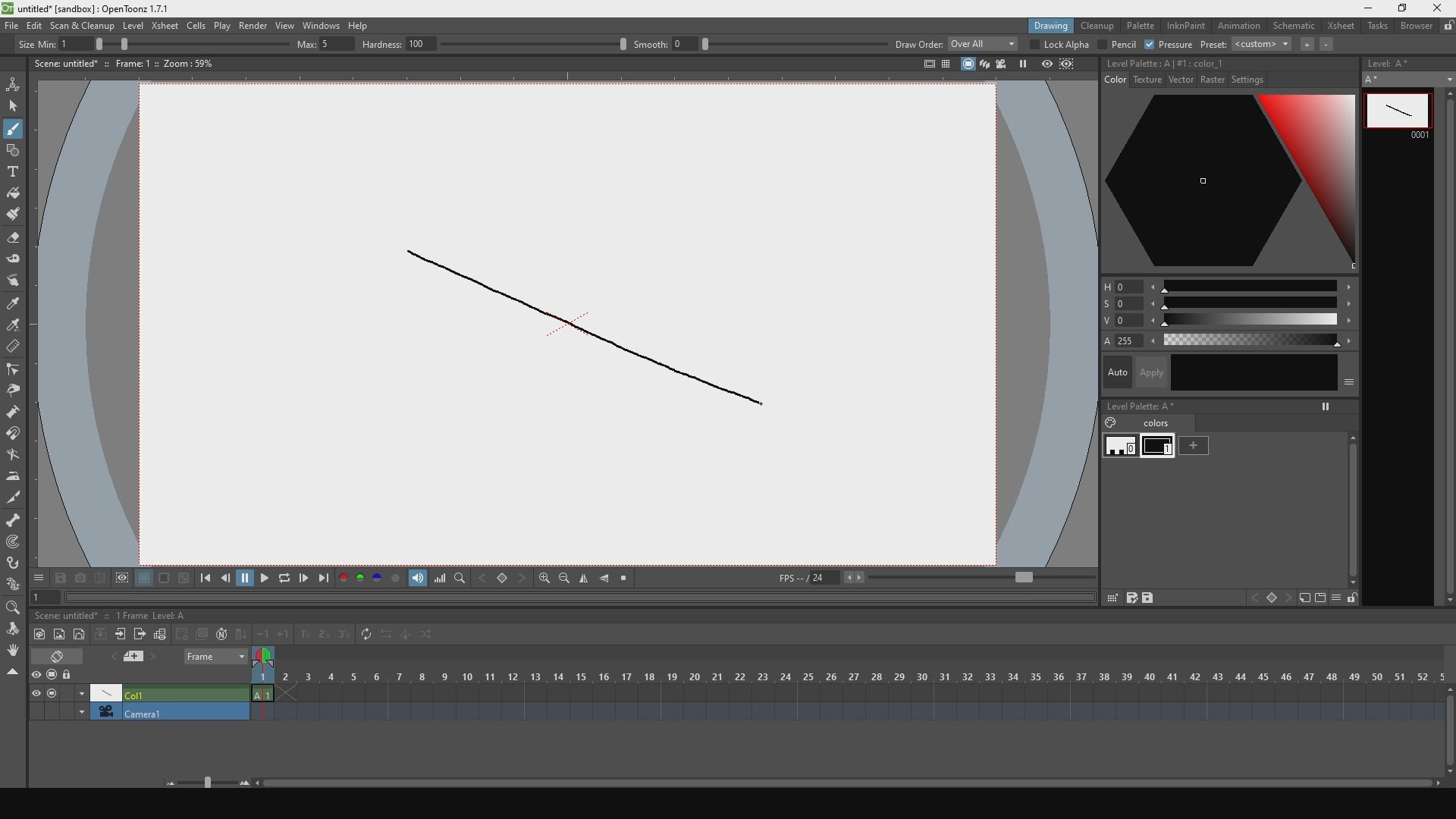 Image resolution: width=1456 pixels, height=819 pixels. What do you see at coordinates (1303, 598) in the screenshot?
I see `icon` at bounding box center [1303, 598].